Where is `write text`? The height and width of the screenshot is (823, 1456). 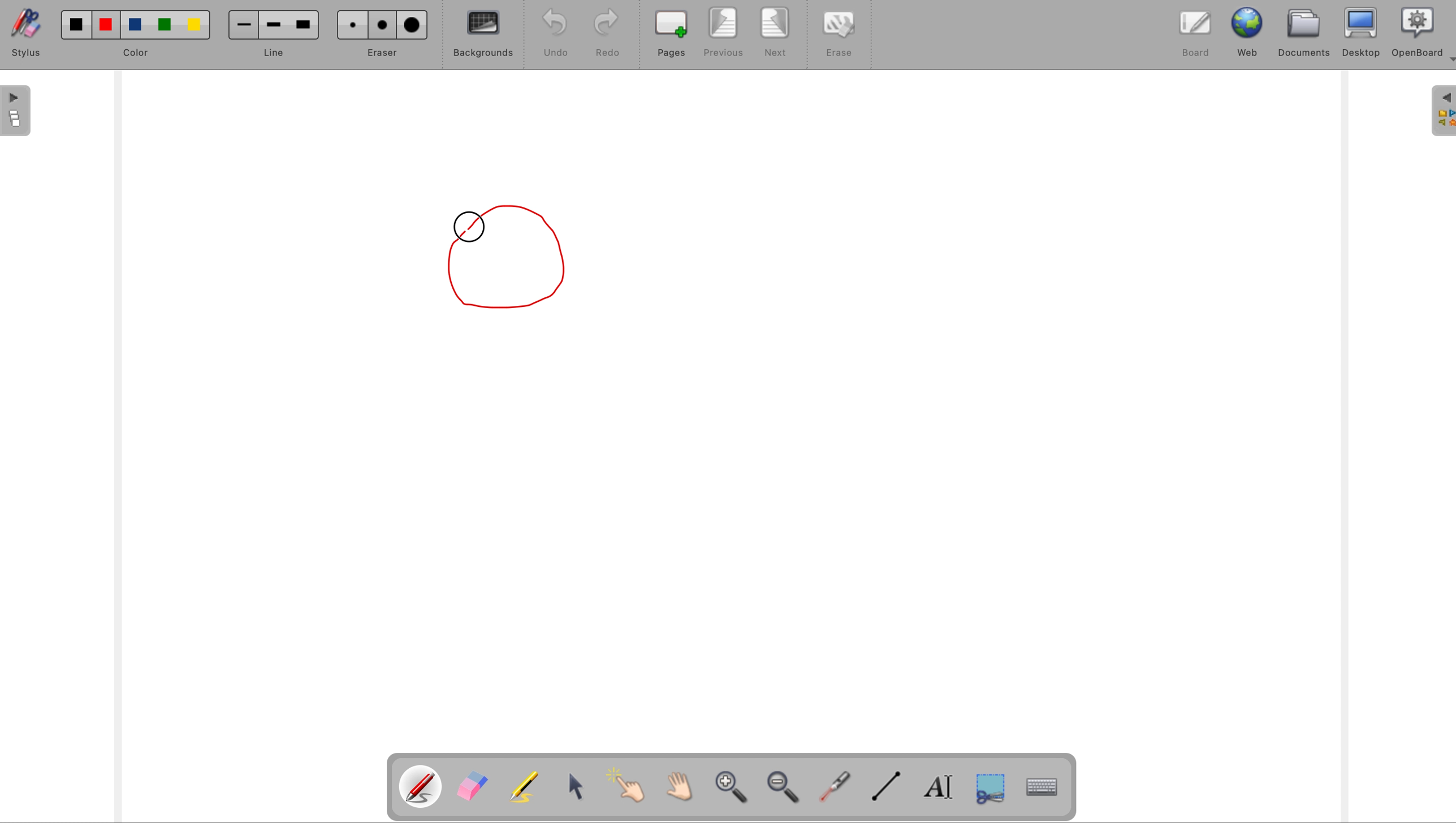
write text is located at coordinates (941, 790).